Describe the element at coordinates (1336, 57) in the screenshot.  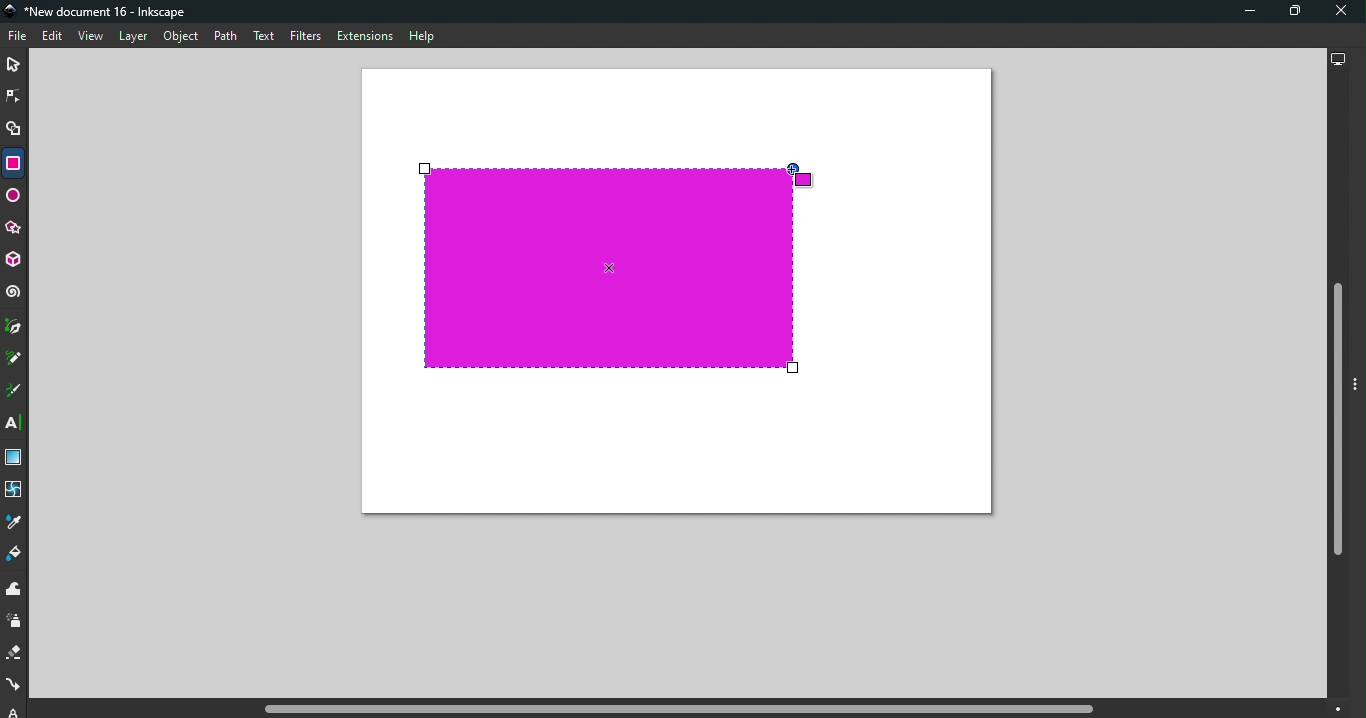
I see `Display options` at that location.